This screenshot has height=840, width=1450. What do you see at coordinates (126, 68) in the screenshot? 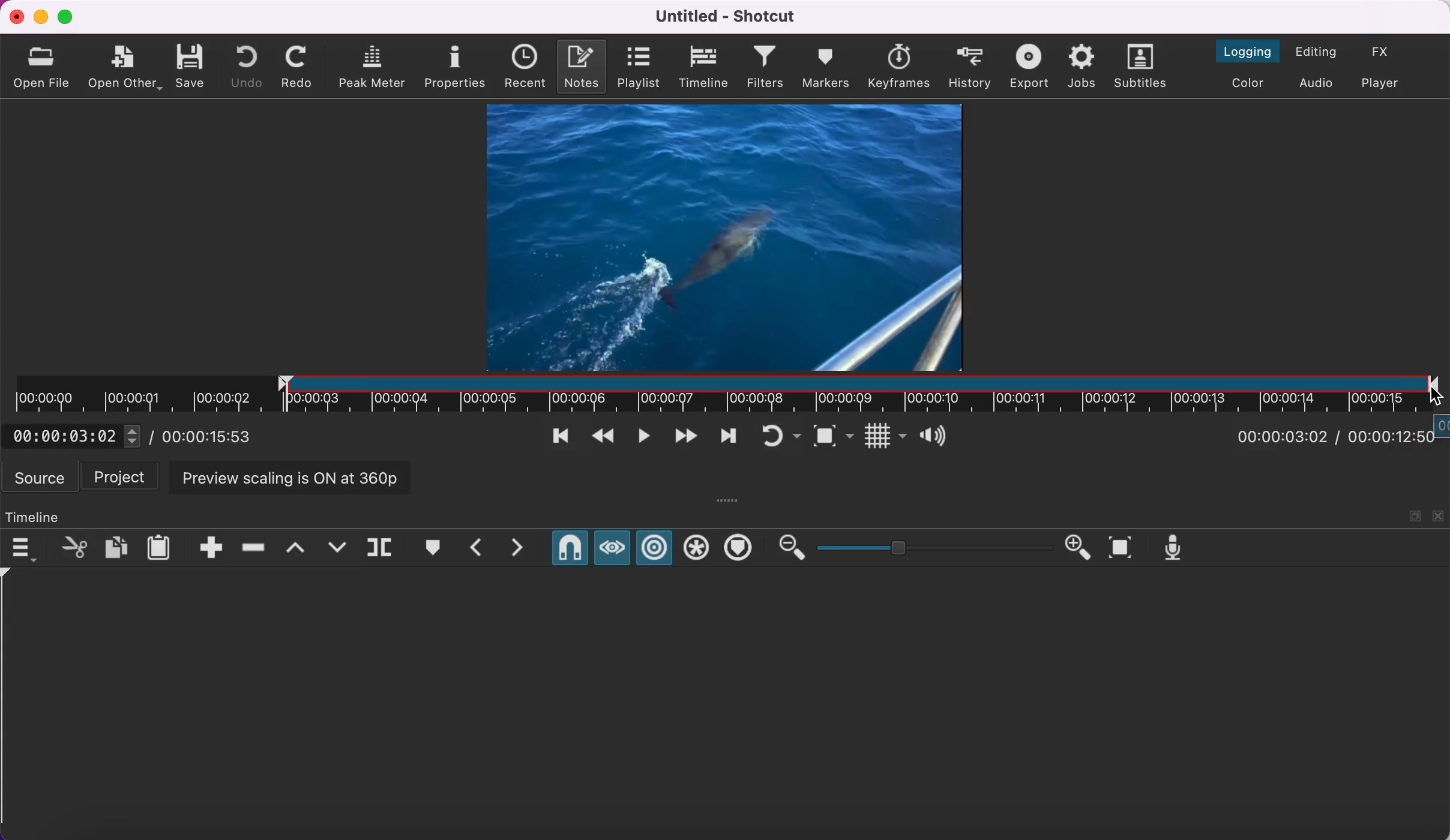
I see `open other` at bounding box center [126, 68].